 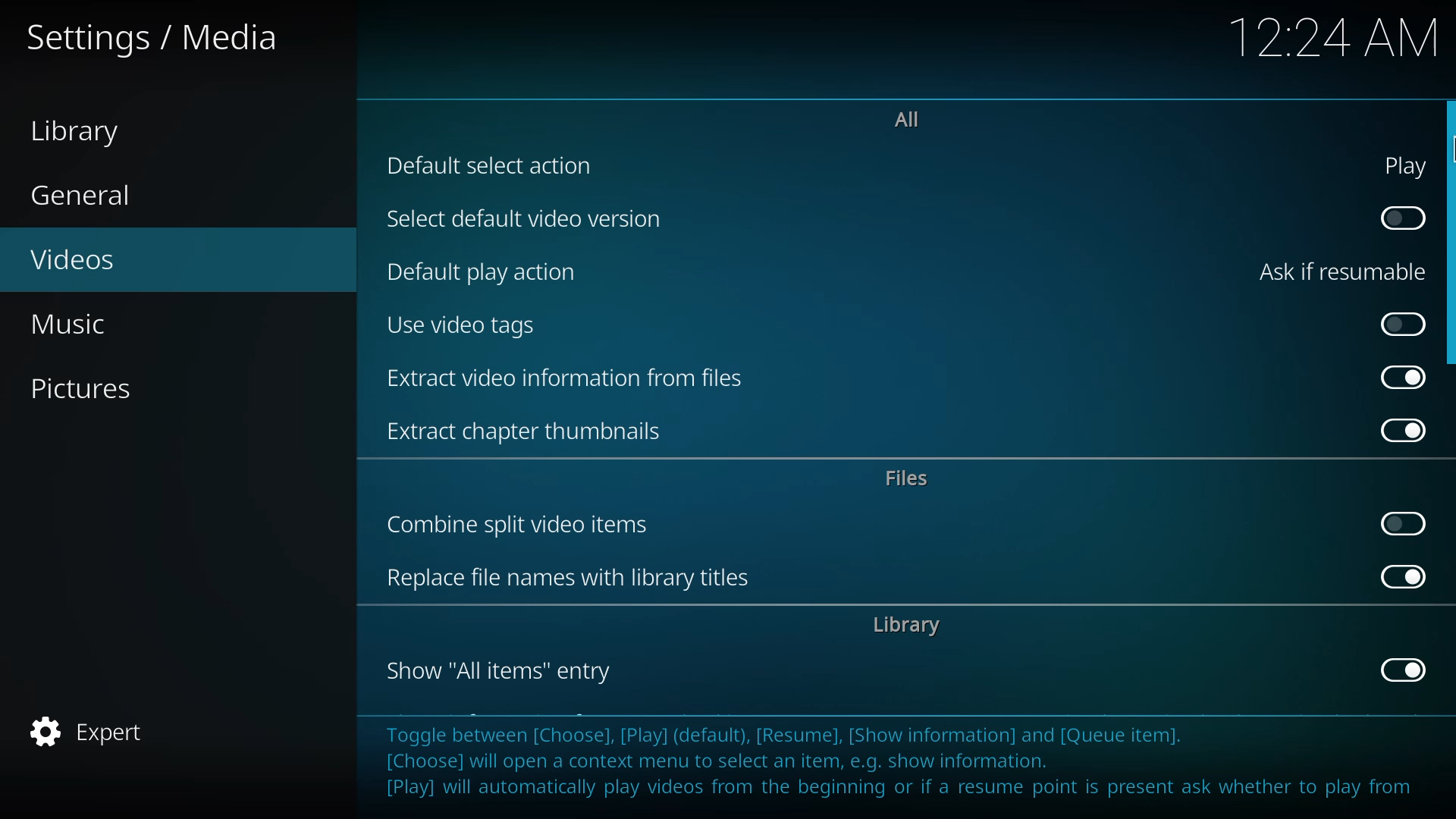 I want to click on enabled, so click(x=1400, y=577).